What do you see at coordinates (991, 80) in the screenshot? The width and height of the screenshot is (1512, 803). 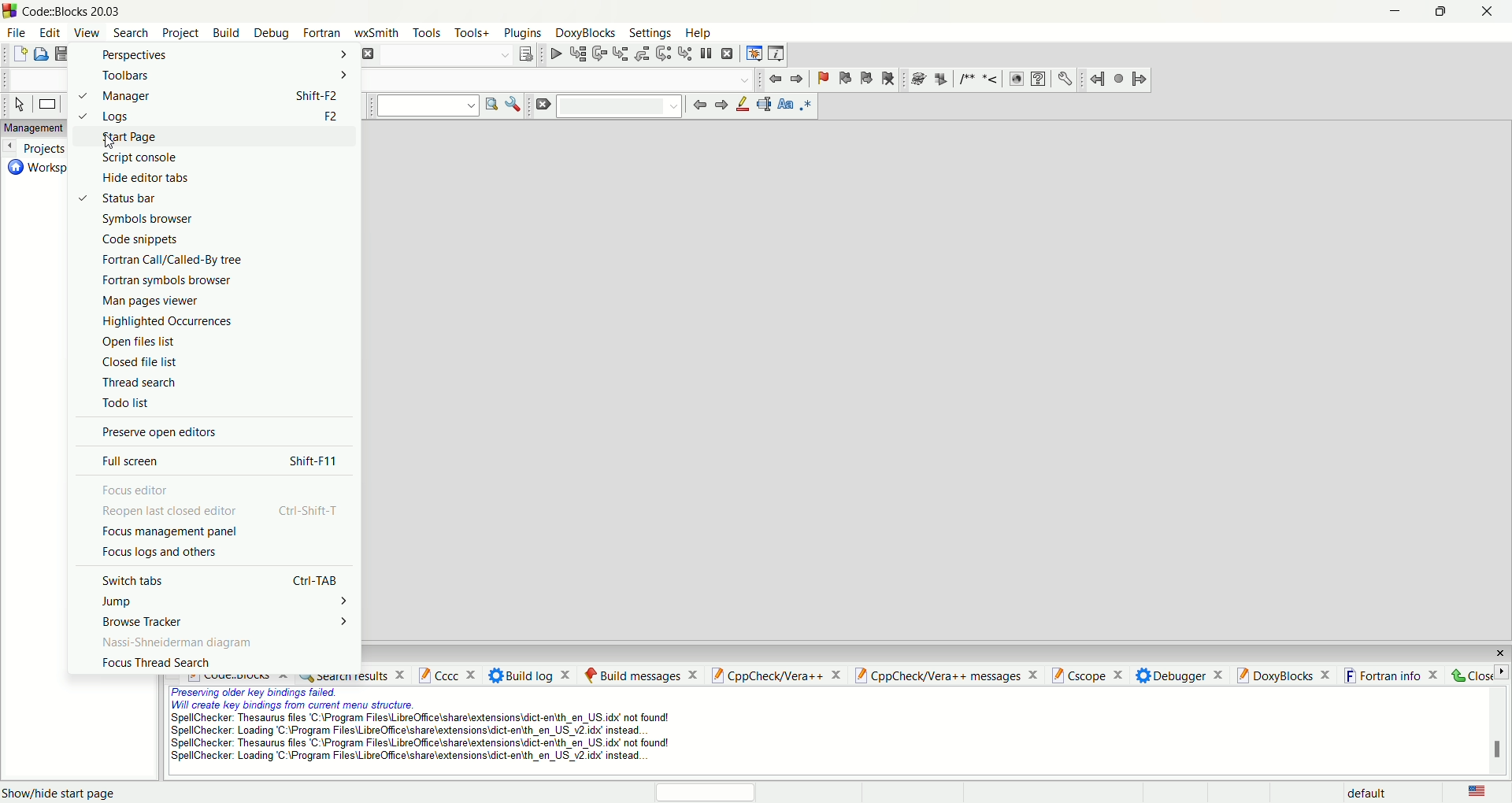 I see `Insert a line` at bounding box center [991, 80].